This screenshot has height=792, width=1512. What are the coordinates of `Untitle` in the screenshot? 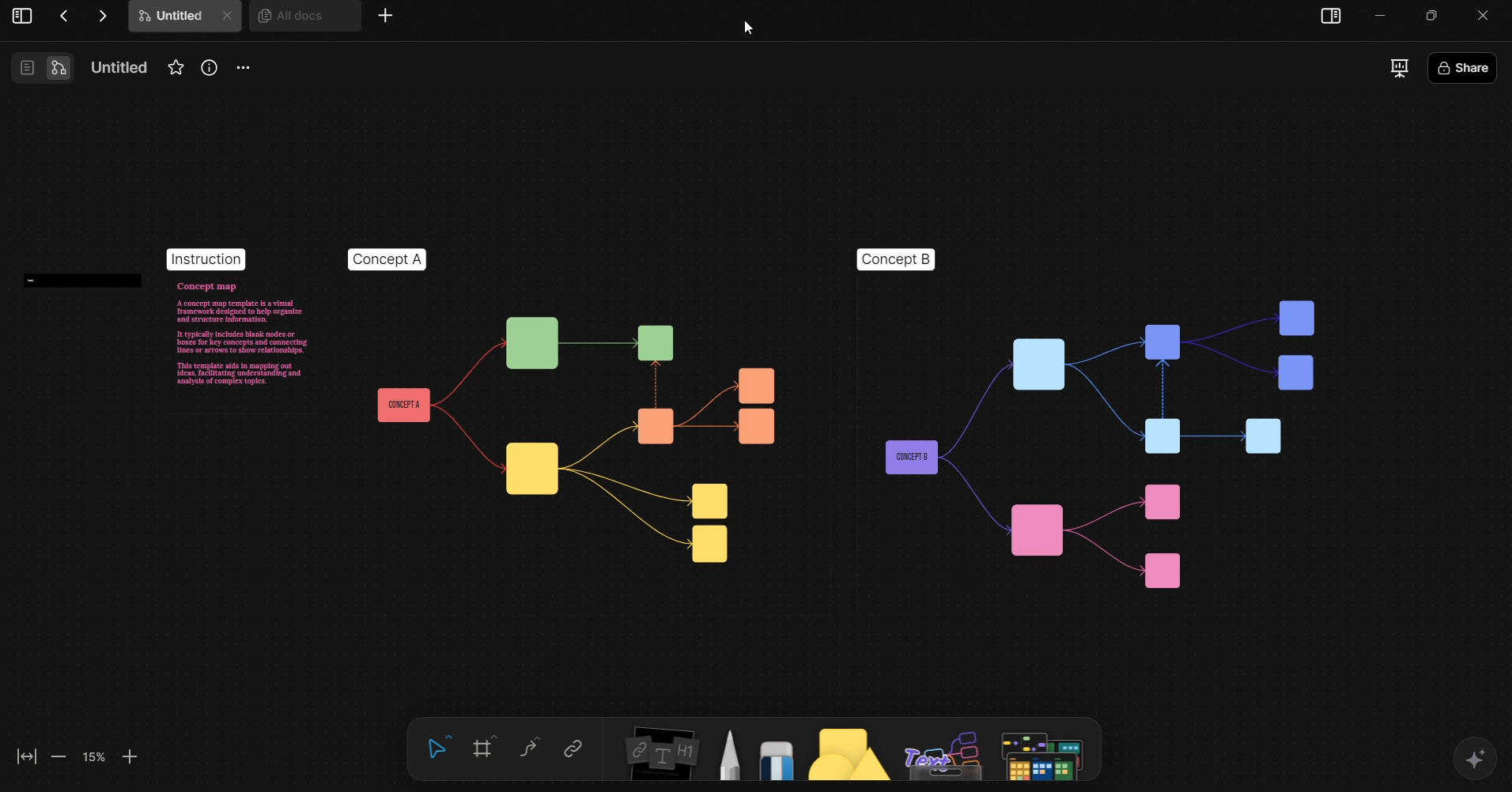 It's located at (185, 19).